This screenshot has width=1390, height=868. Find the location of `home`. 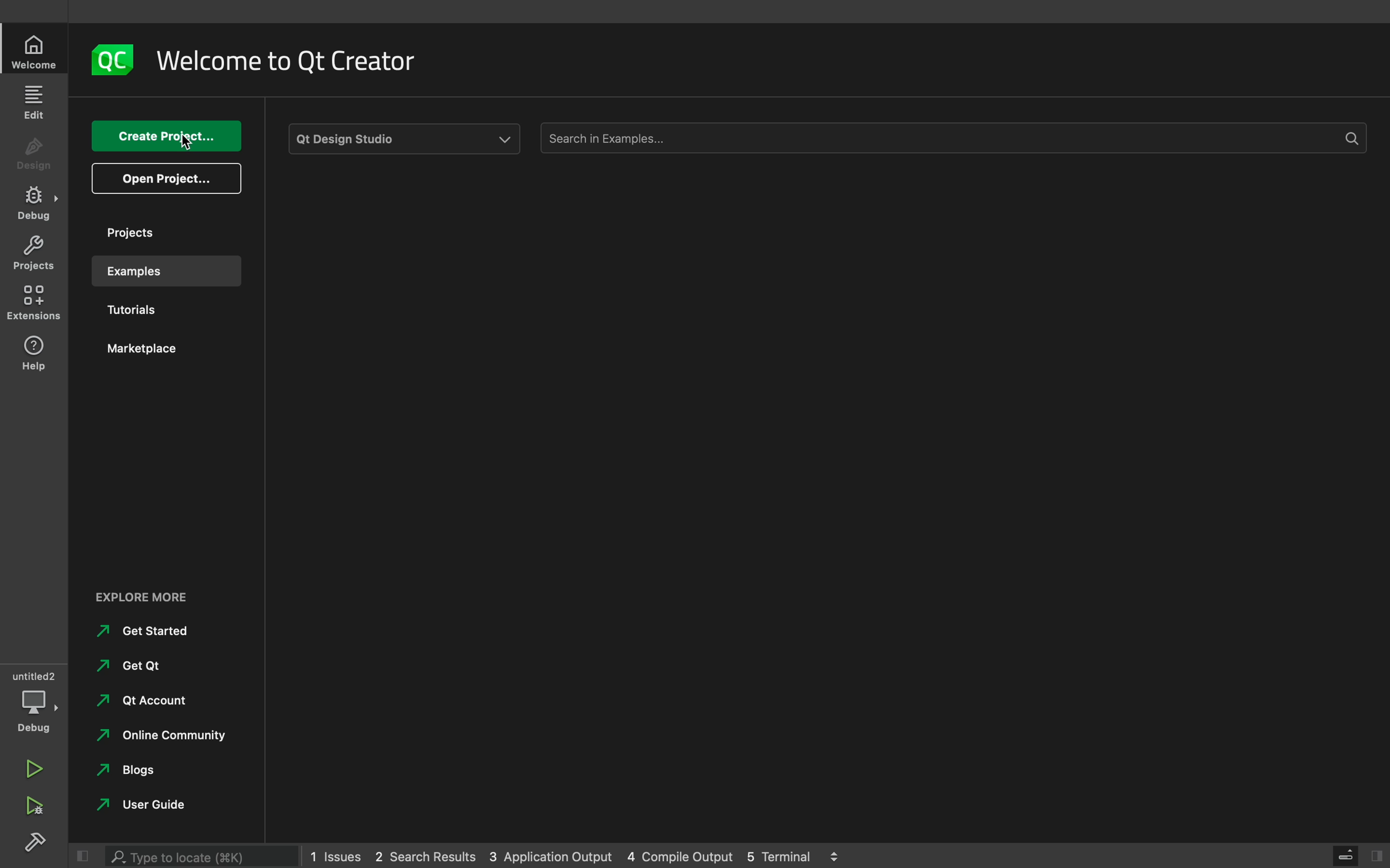

home is located at coordinates (36, 52).